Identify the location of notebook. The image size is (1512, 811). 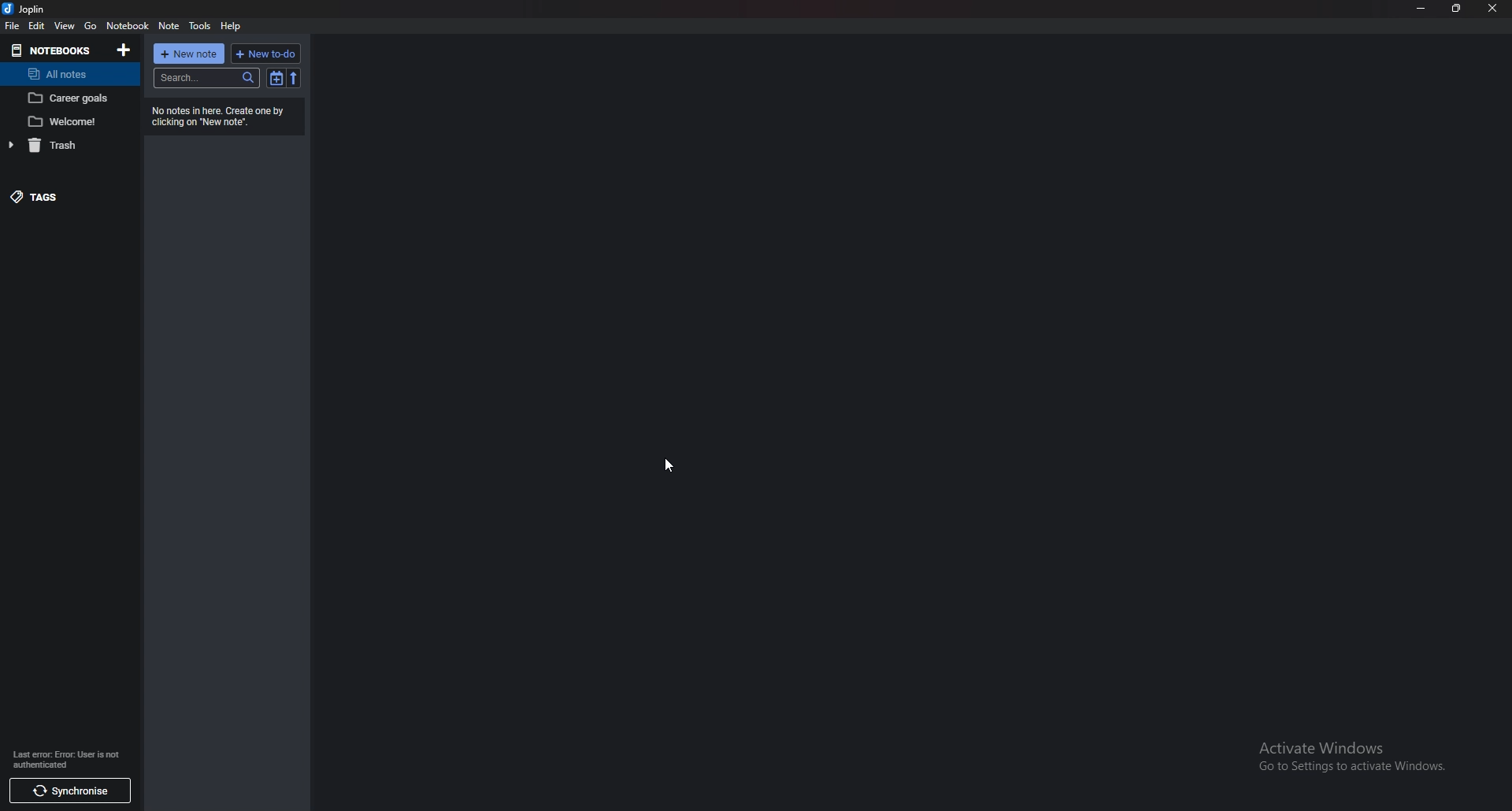
(130, 26).